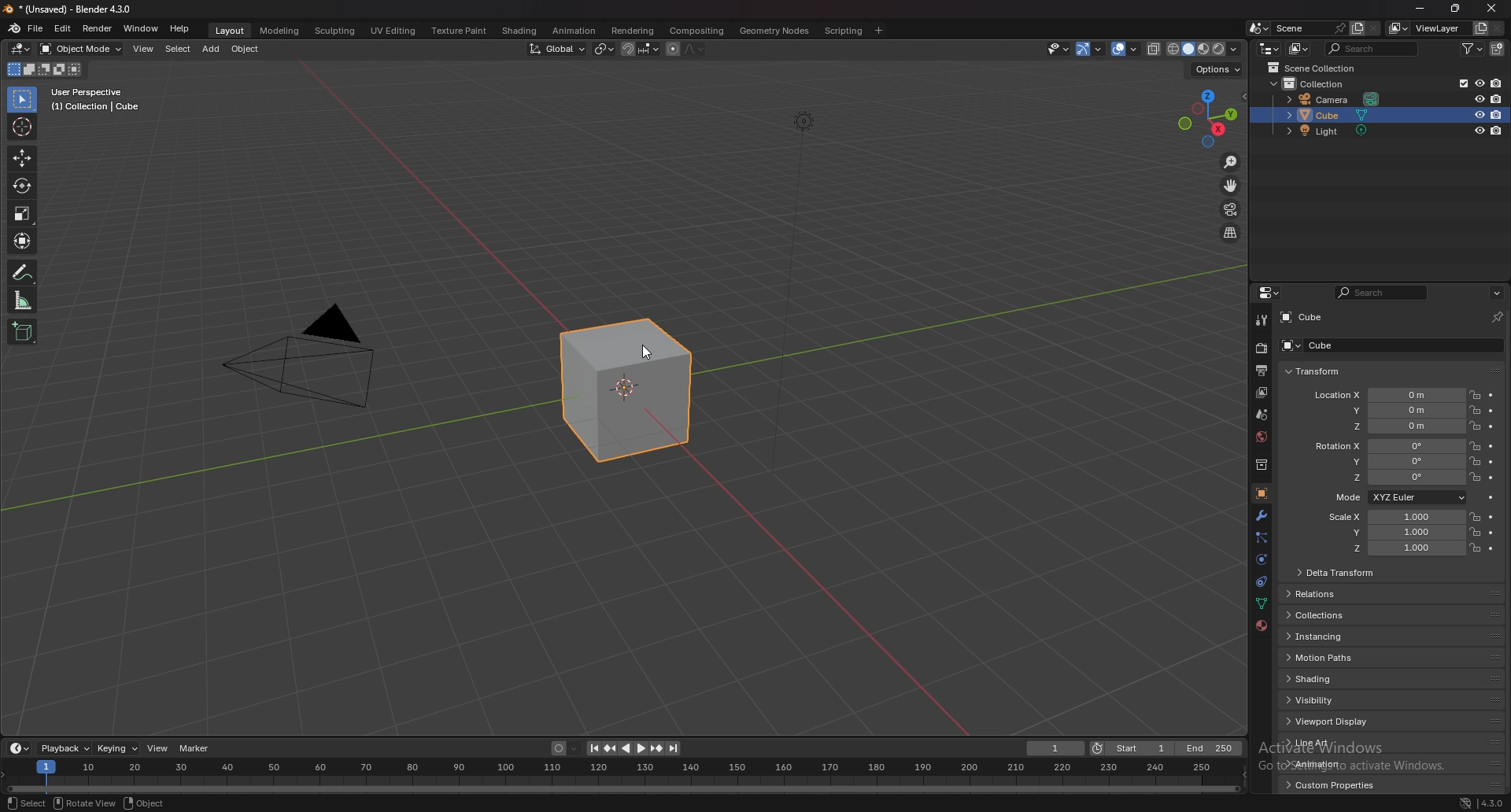  I want to click on new collection, so click(1498, 50).